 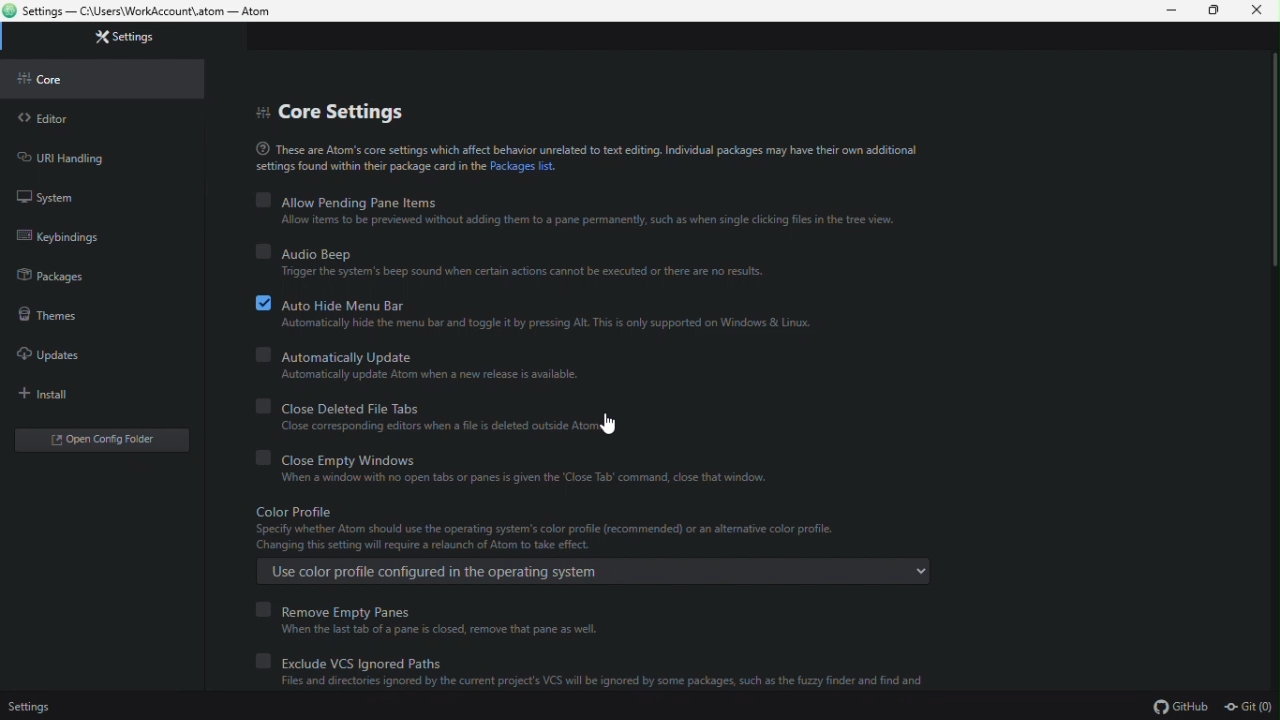 I want to click on Remove Empty panes, so click(x=338, y=606).